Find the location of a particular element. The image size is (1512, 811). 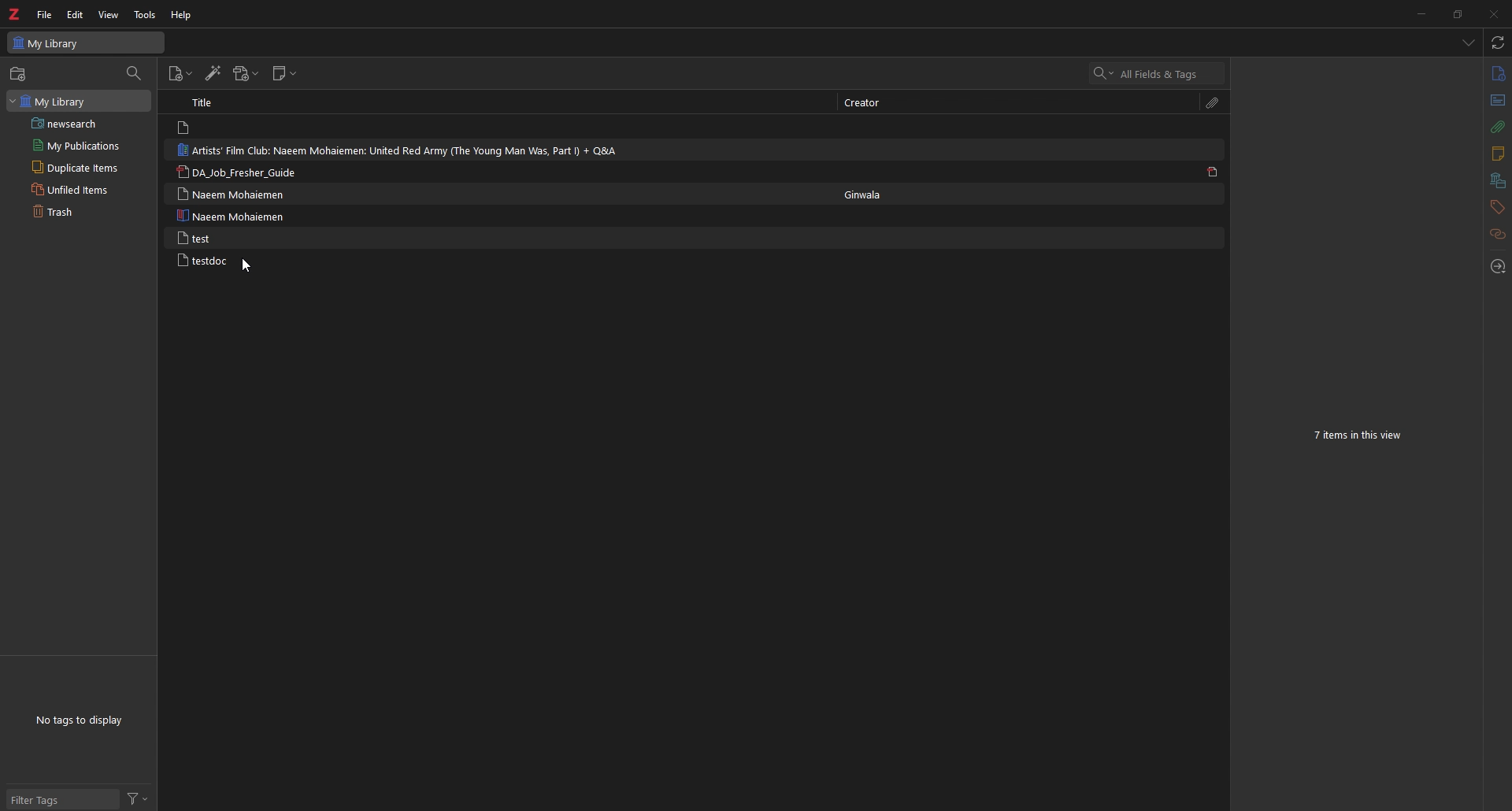

logo is located at coordinates (15, 13).